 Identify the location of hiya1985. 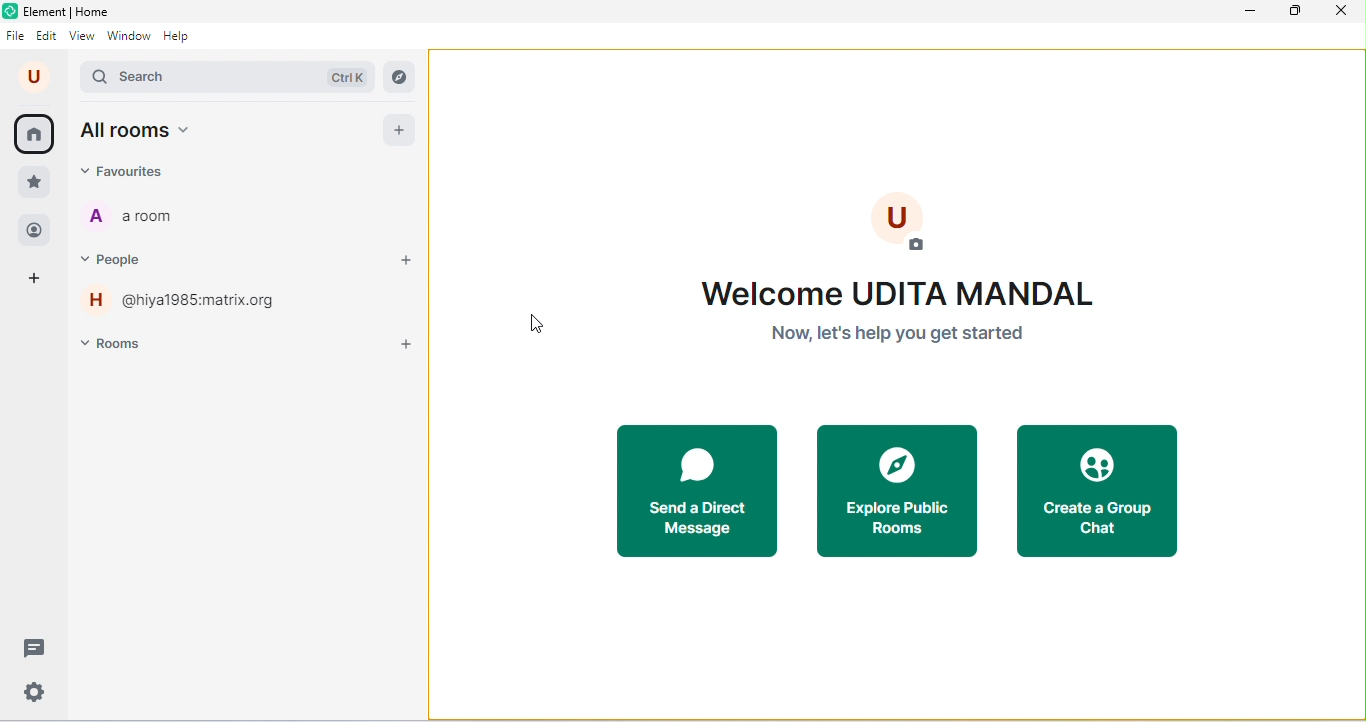
(178, 299).